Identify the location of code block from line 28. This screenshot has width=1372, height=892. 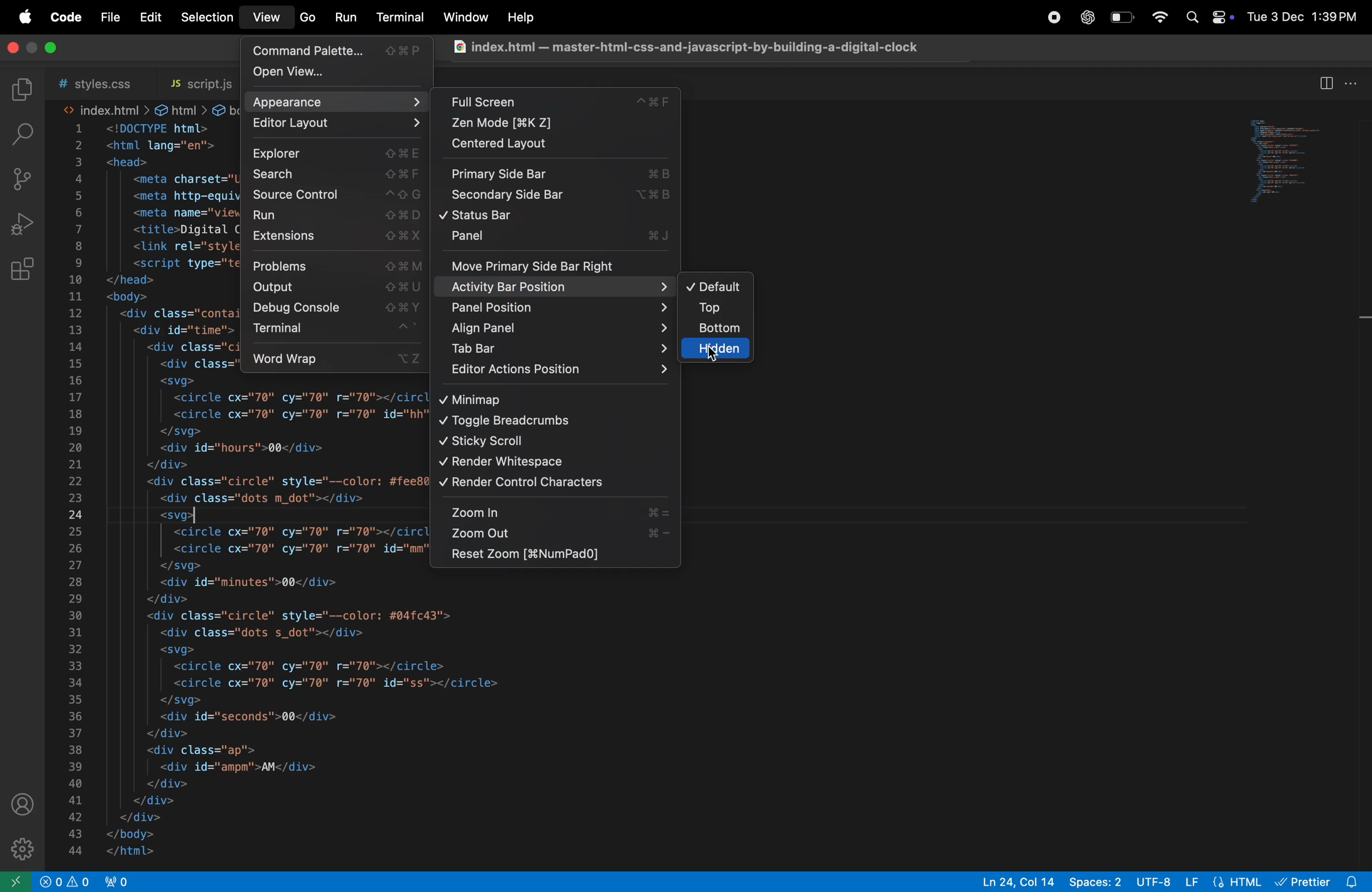
(566, 722).